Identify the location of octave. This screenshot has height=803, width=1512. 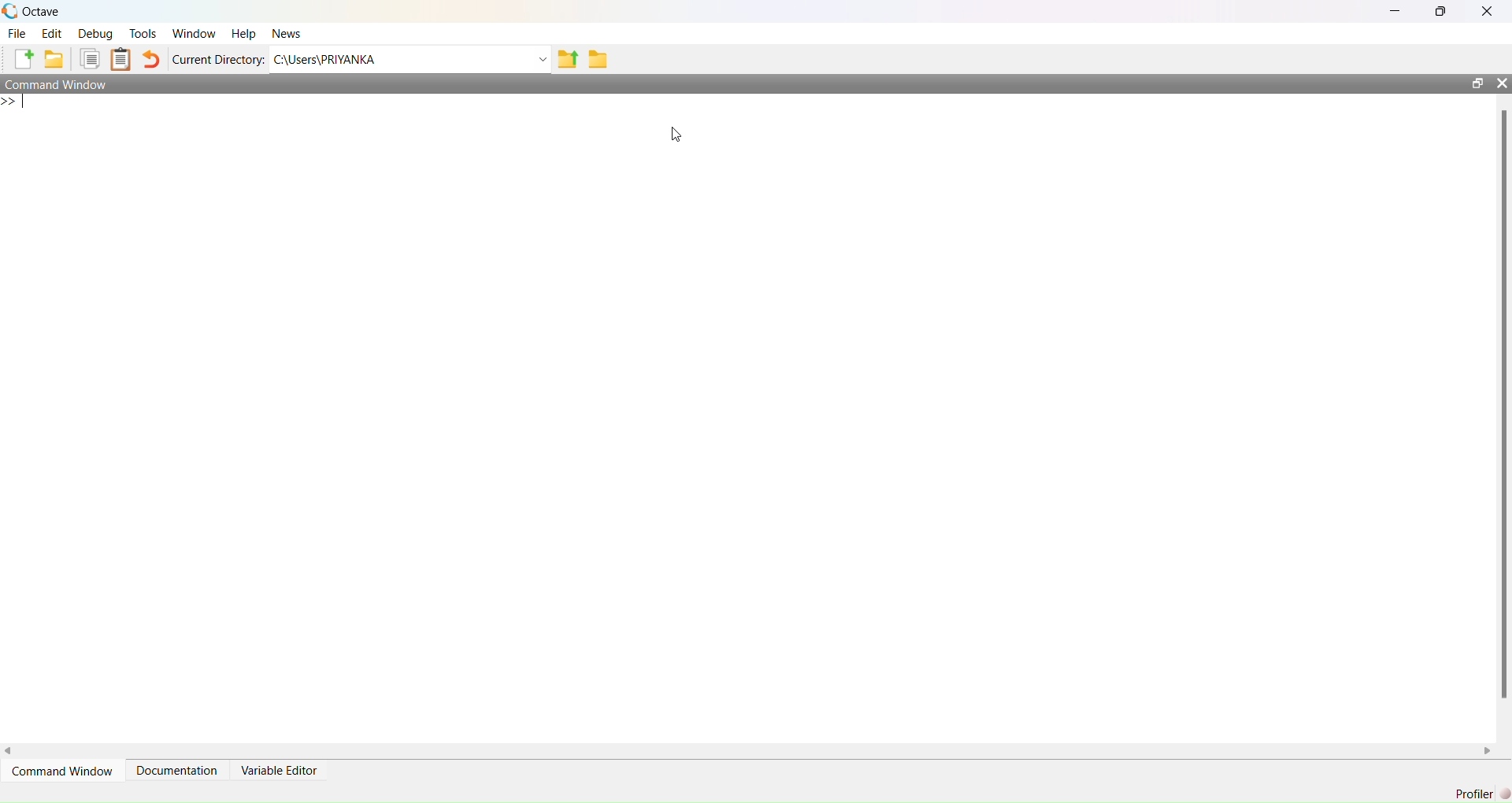
(45, 13).